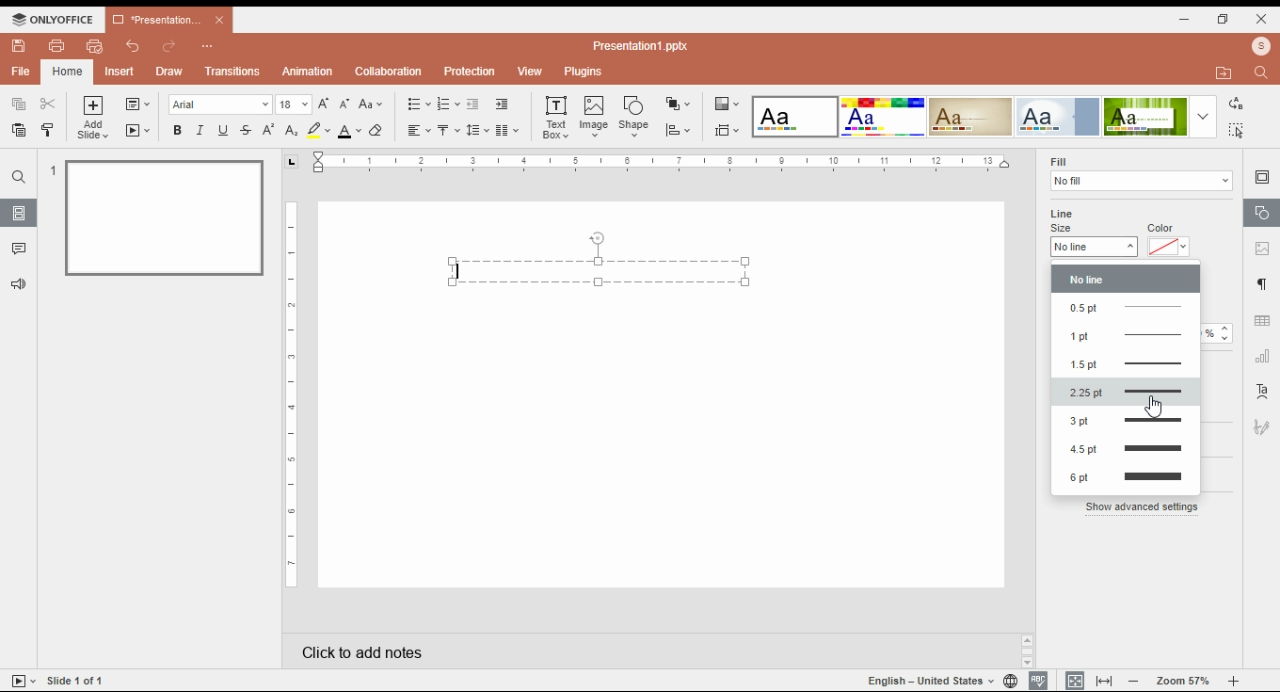 This screenshot has width=1280, height=692. What do you see at coordinates (55, 46) in the screenshot?
I see `print file` at bounding box center [55, 46].